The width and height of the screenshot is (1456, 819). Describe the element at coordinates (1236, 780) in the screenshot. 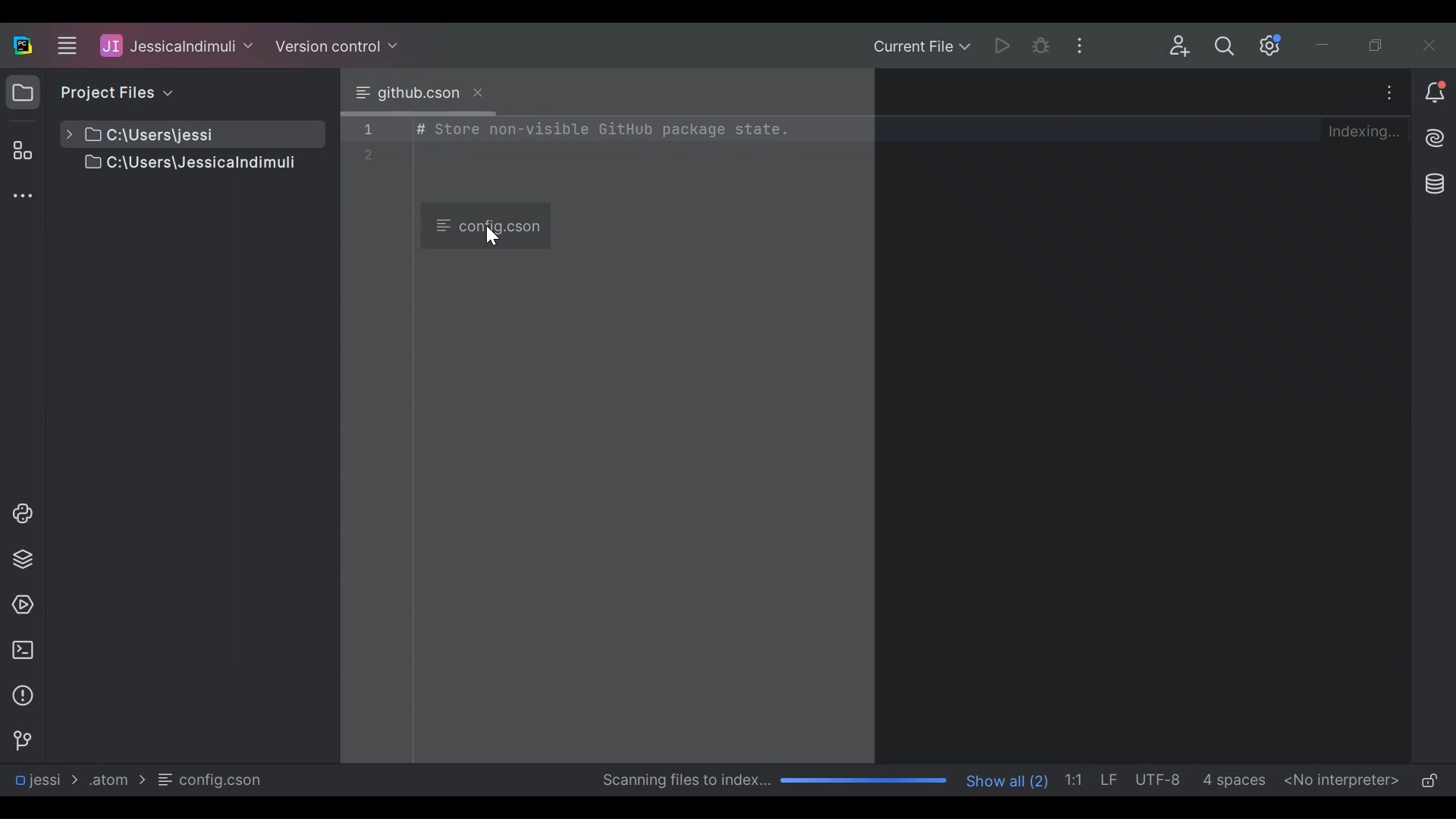

I see `Spaces` at that location.